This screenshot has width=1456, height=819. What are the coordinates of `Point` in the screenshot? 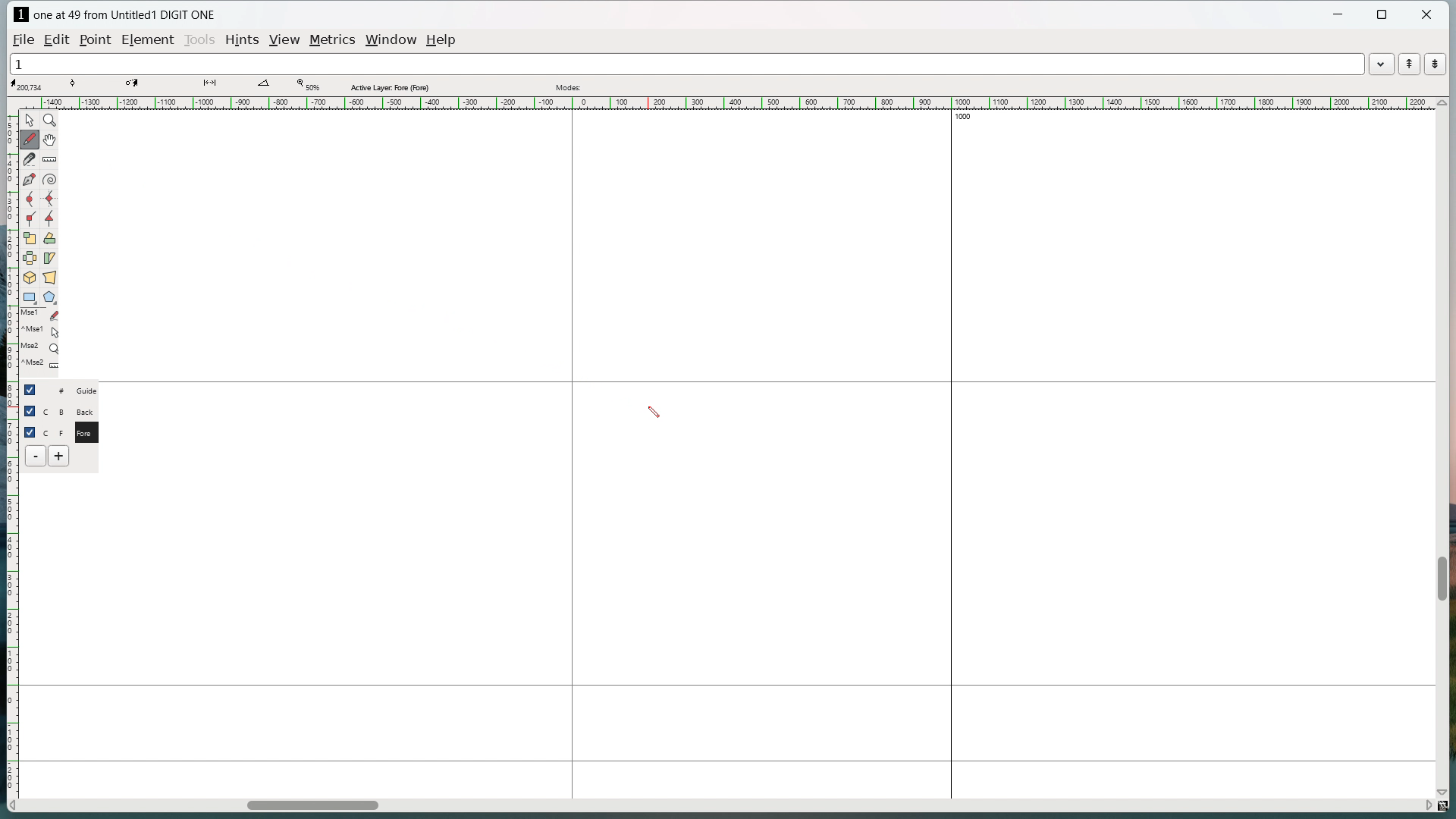 It's located at (98, 39).